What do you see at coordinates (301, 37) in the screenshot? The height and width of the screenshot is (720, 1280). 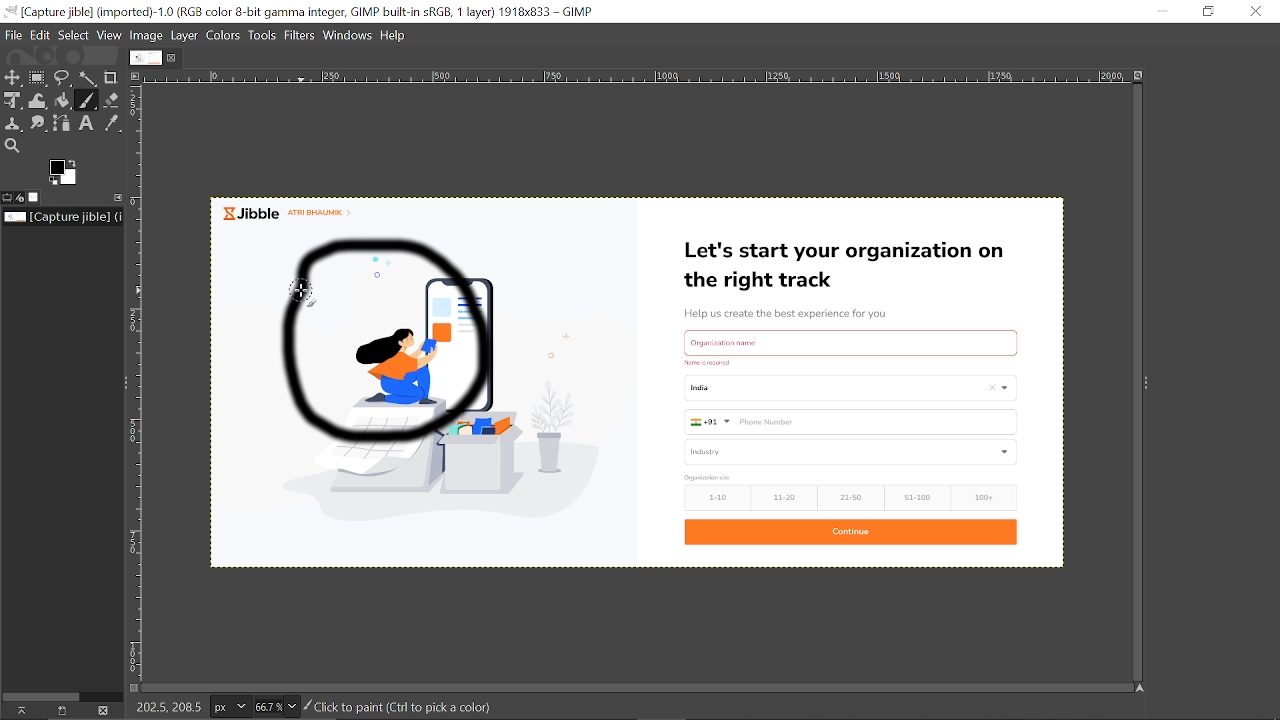 I see `Filters` at bounding box center [301, 37].